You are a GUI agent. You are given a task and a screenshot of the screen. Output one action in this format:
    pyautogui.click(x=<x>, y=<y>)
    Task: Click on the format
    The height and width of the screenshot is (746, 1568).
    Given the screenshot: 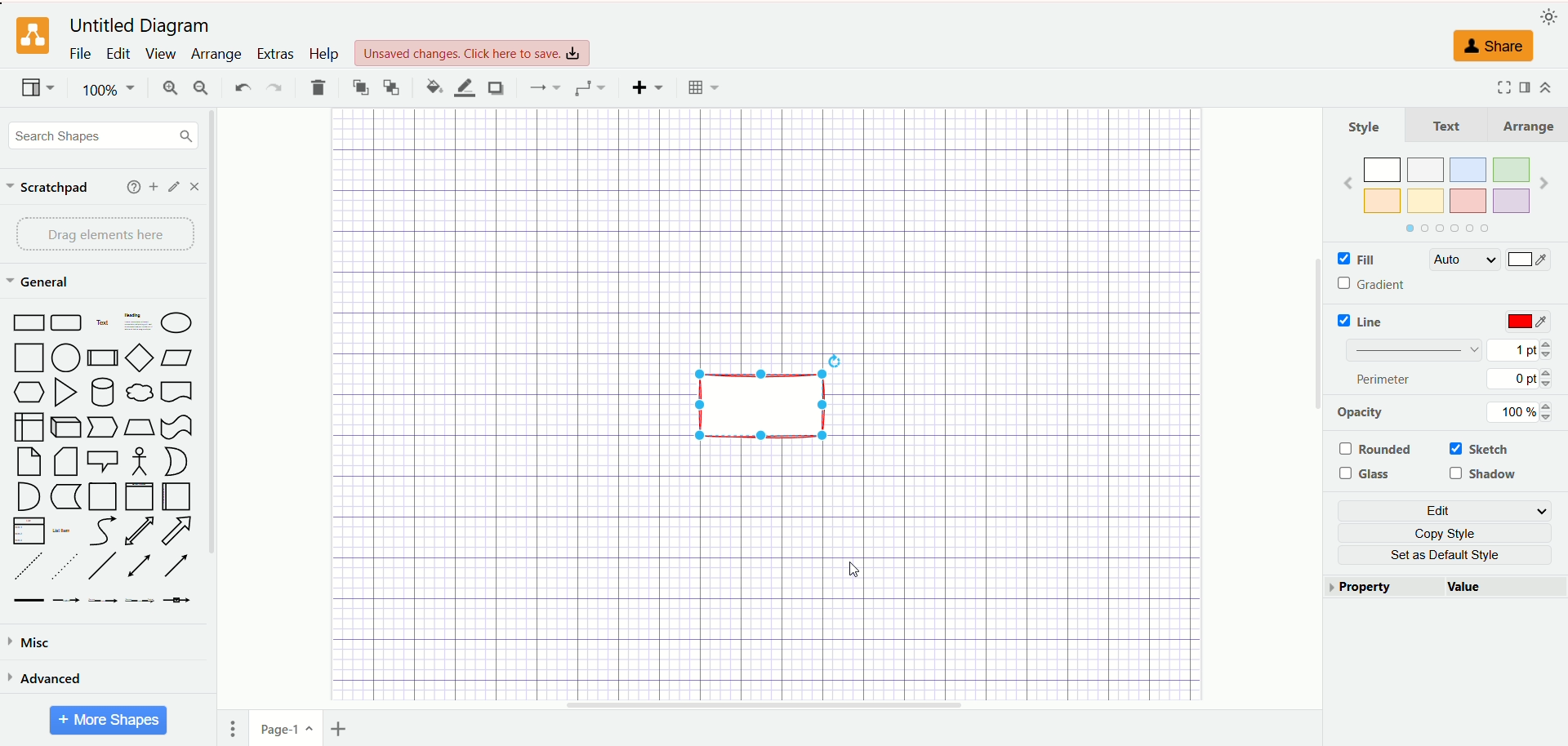 What is the action you would take?
    pyautogui.click(x=1526, y=90)
    